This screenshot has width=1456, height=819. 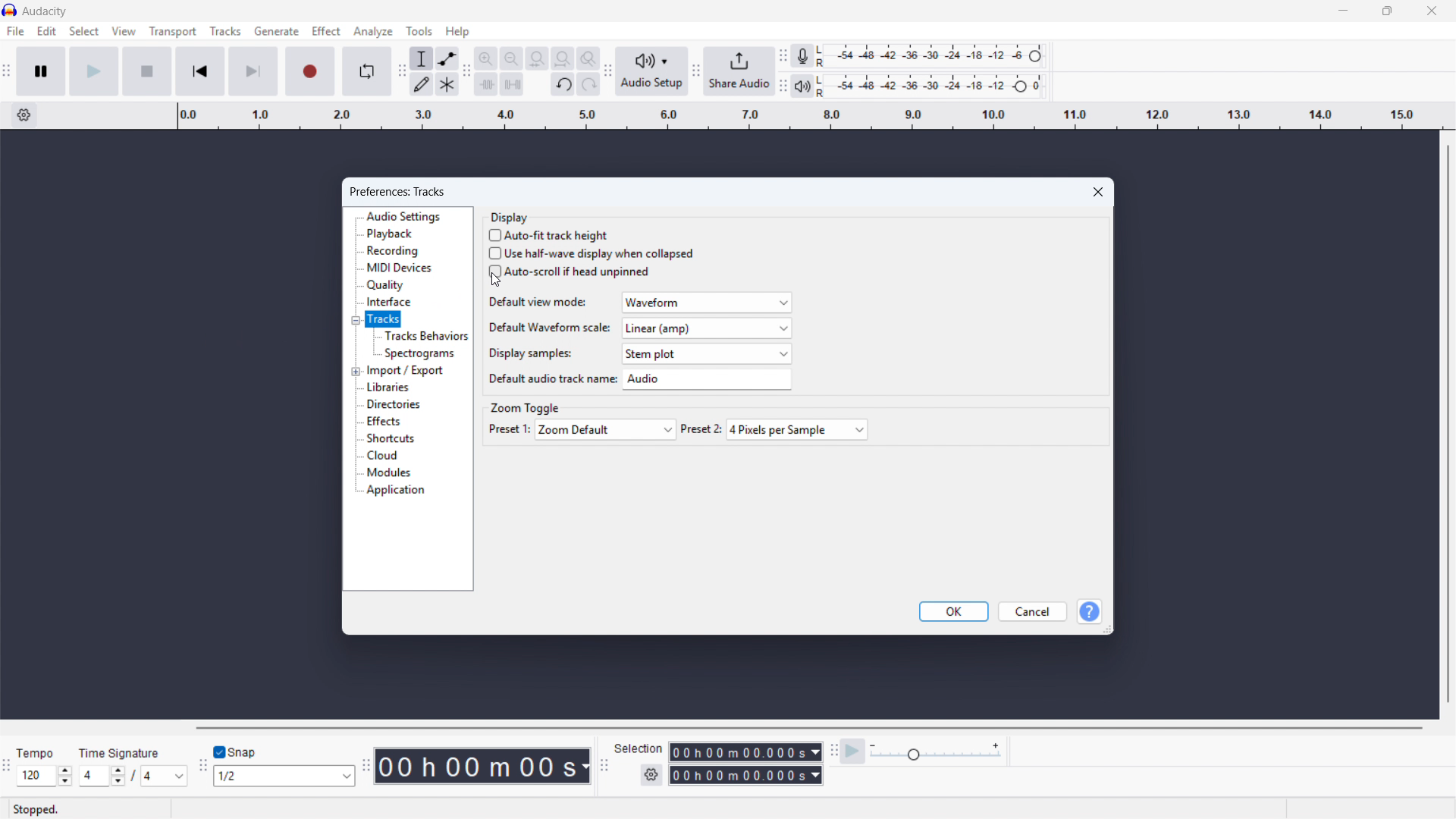 I want to click on skip to start, so click(x=200, y=71).